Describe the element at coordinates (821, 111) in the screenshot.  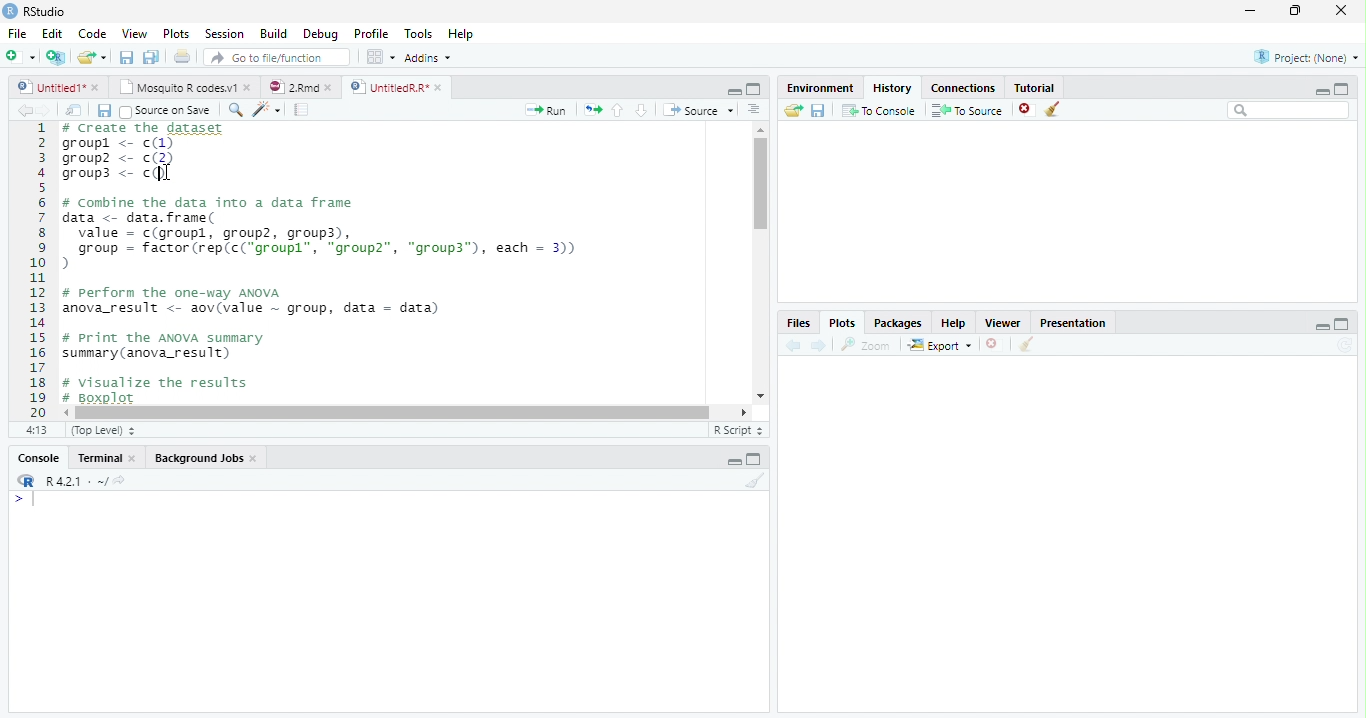
I see `Save workspace as ` at that location.